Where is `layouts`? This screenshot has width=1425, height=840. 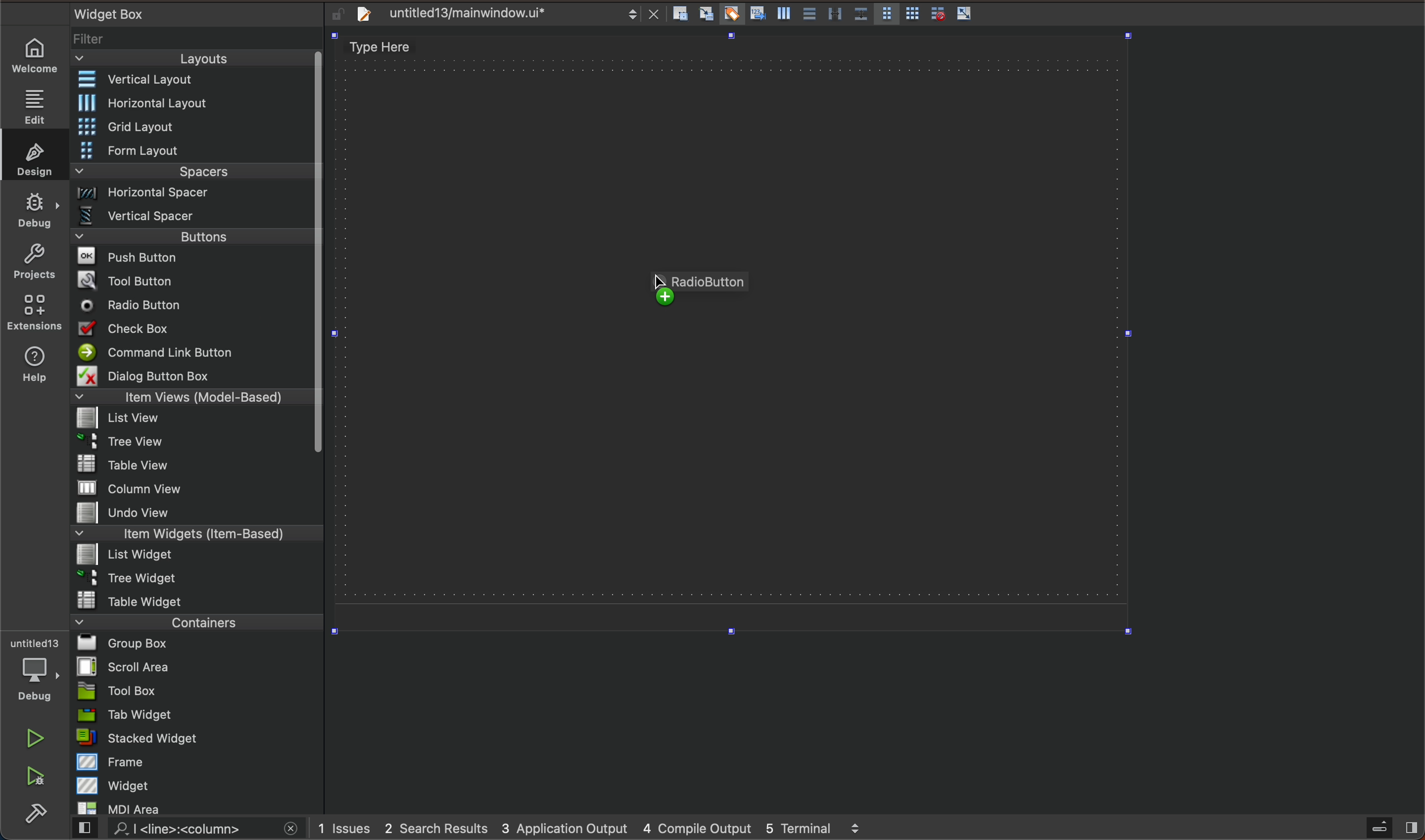 layouts is located at coordinates (192, 62).